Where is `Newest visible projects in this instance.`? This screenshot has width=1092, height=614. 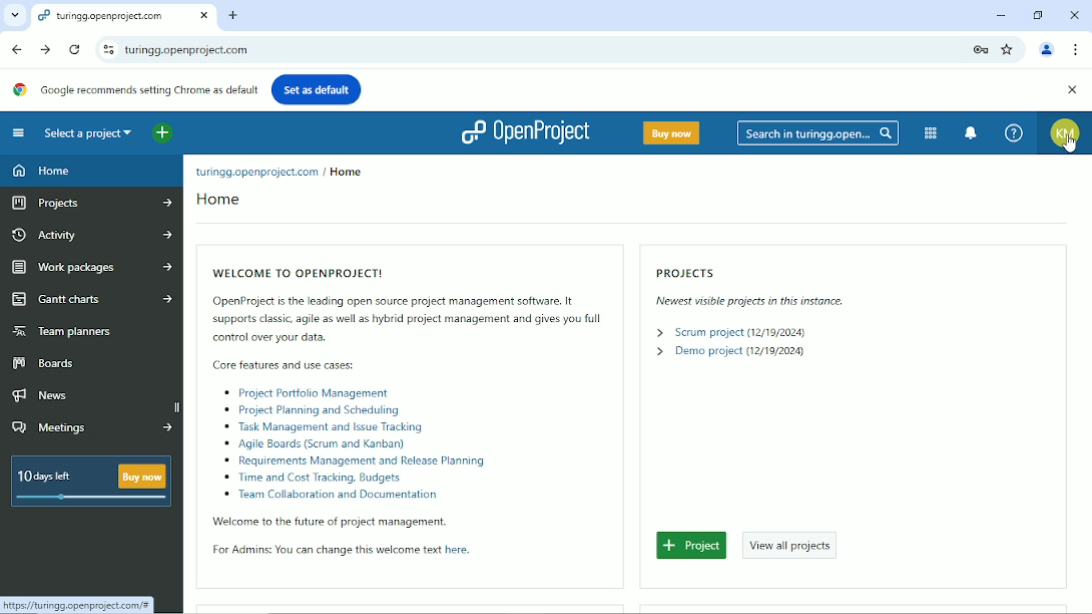 Newest visible projects in this instance. is located at coordinates (745, 301).